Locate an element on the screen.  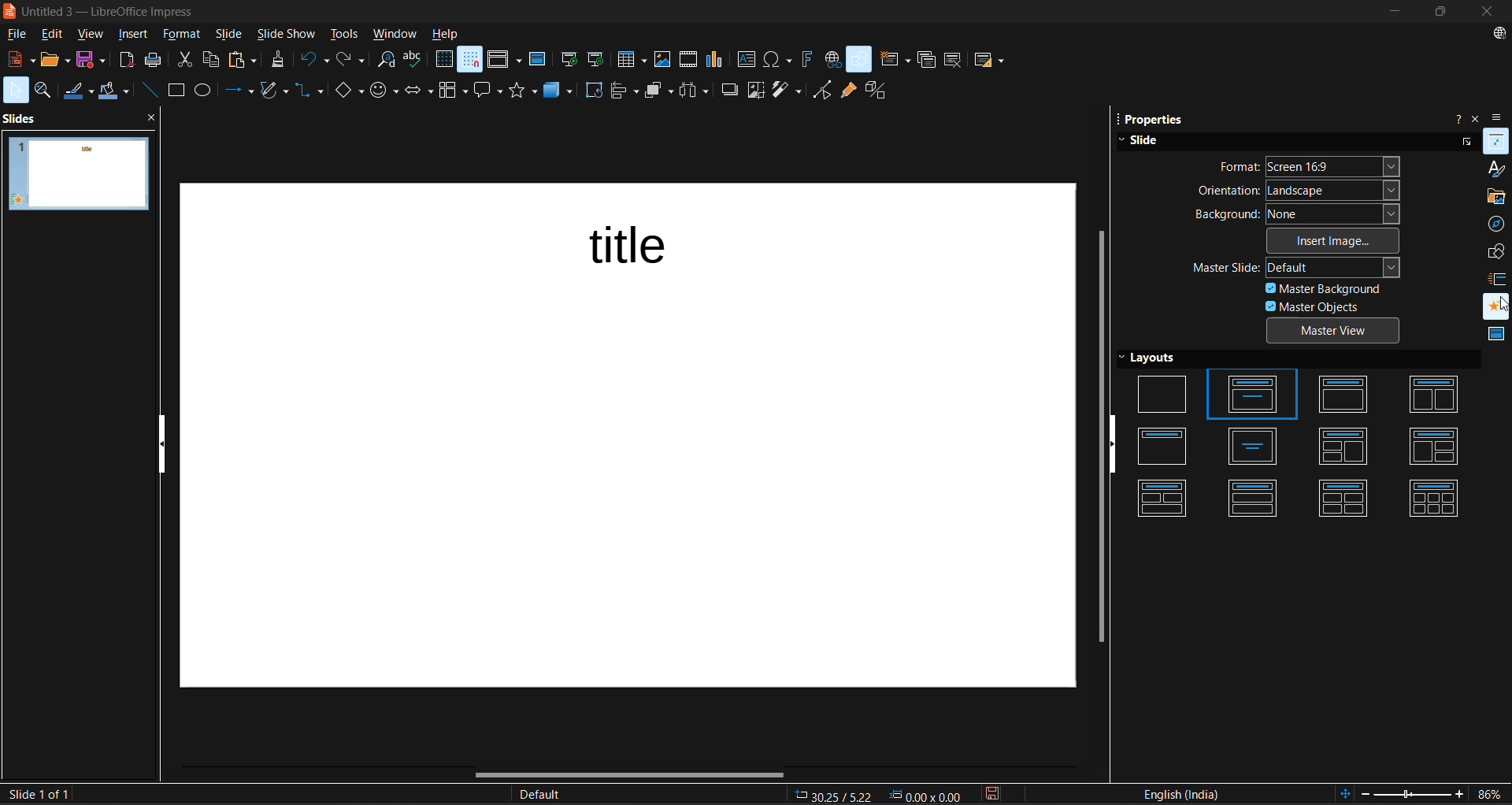
start from current slide is located at coordinates (595, 59).